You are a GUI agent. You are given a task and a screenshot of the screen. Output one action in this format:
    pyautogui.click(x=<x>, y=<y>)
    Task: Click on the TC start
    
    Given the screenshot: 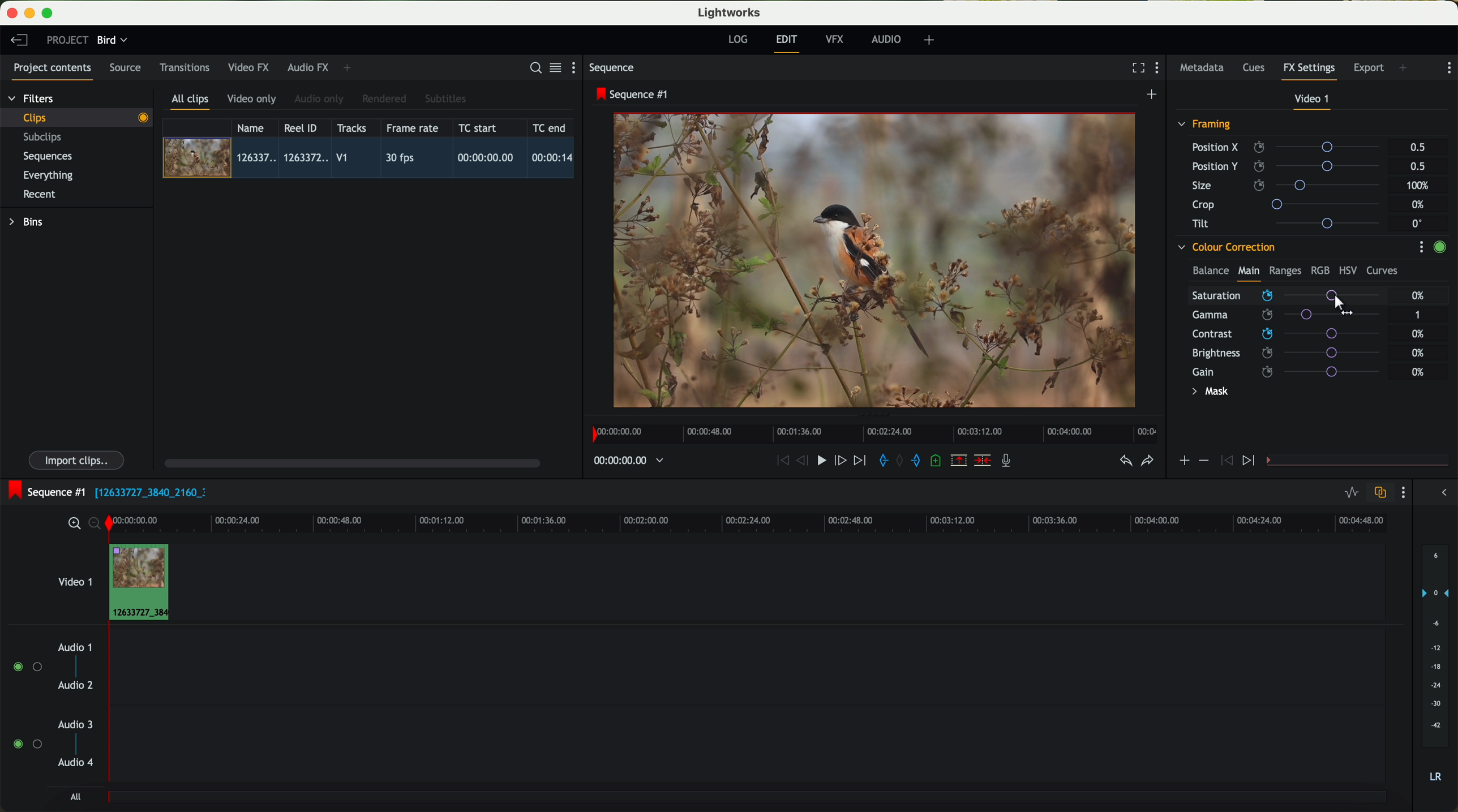 What is the action you would take?
    pyautogui.click(x=479, y=127)
    